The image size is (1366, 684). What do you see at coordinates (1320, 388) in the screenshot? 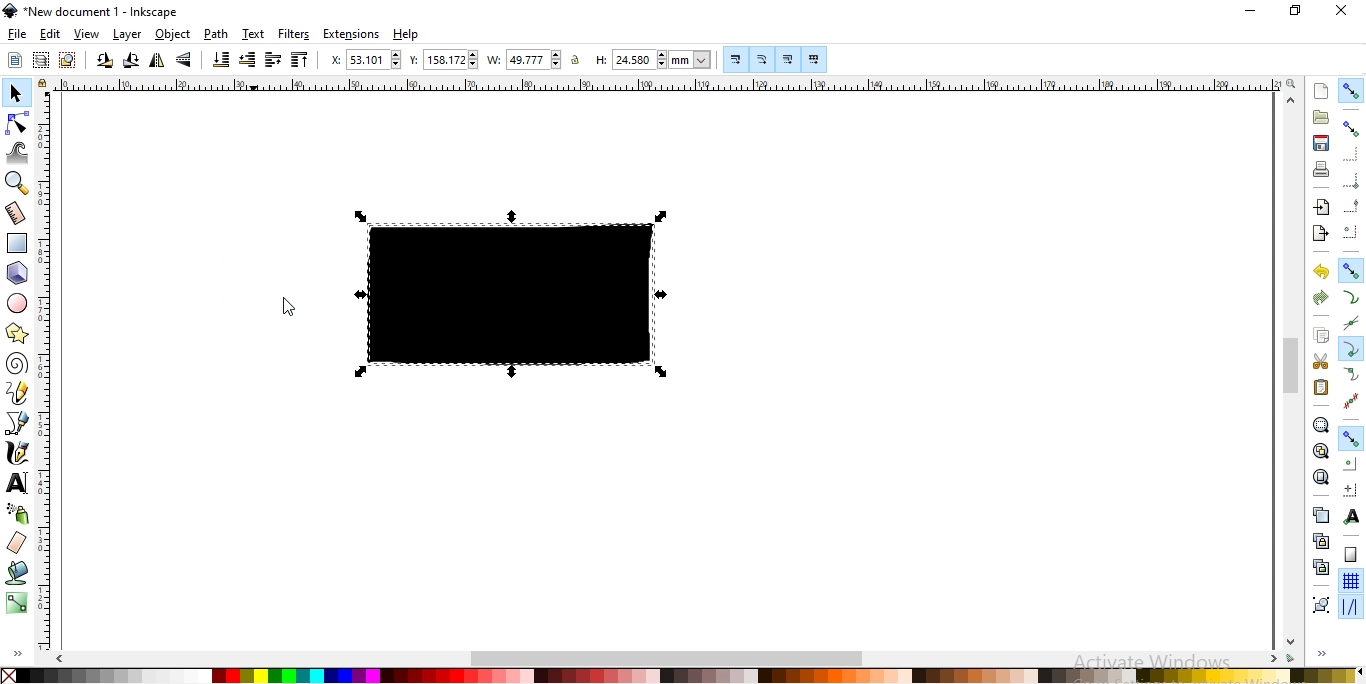
I see `paste` at bounding box center [1320, 388].